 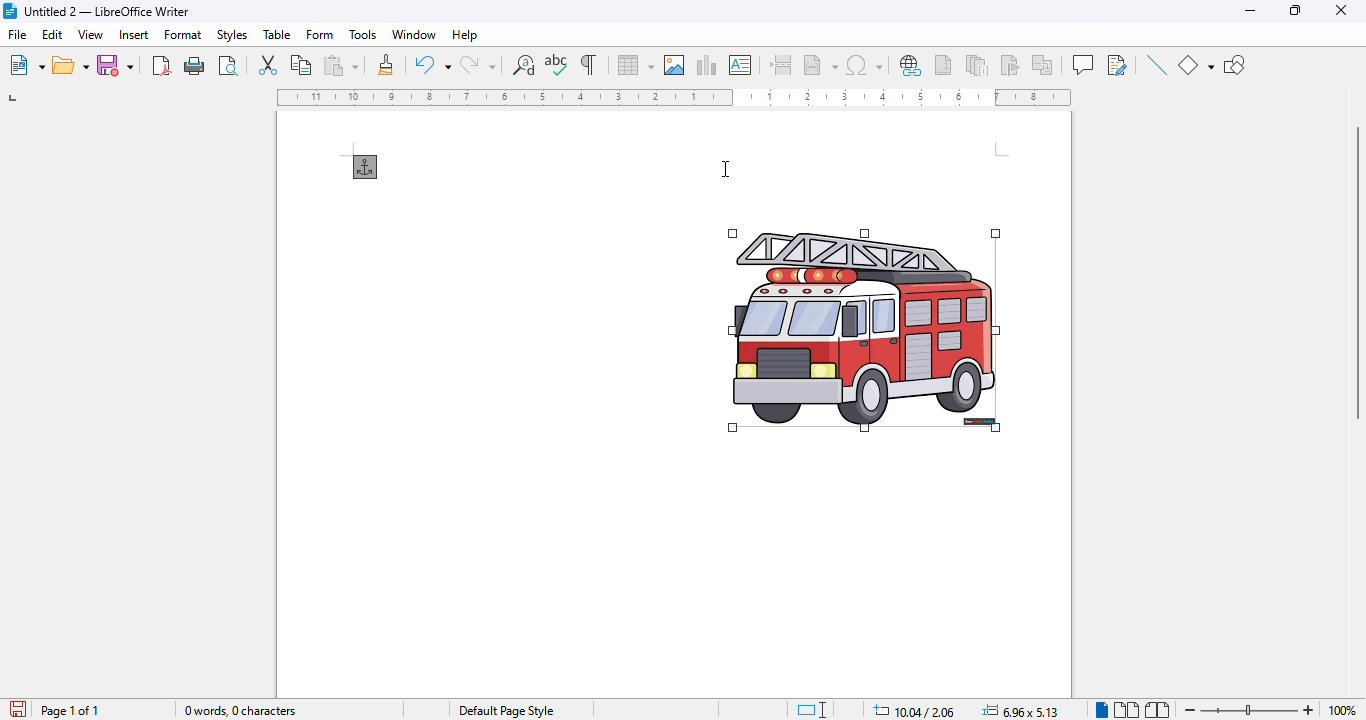 What do you see at coordinates (184, 34) in the screenshot?
I see `format` at bounding box center [184, 34].